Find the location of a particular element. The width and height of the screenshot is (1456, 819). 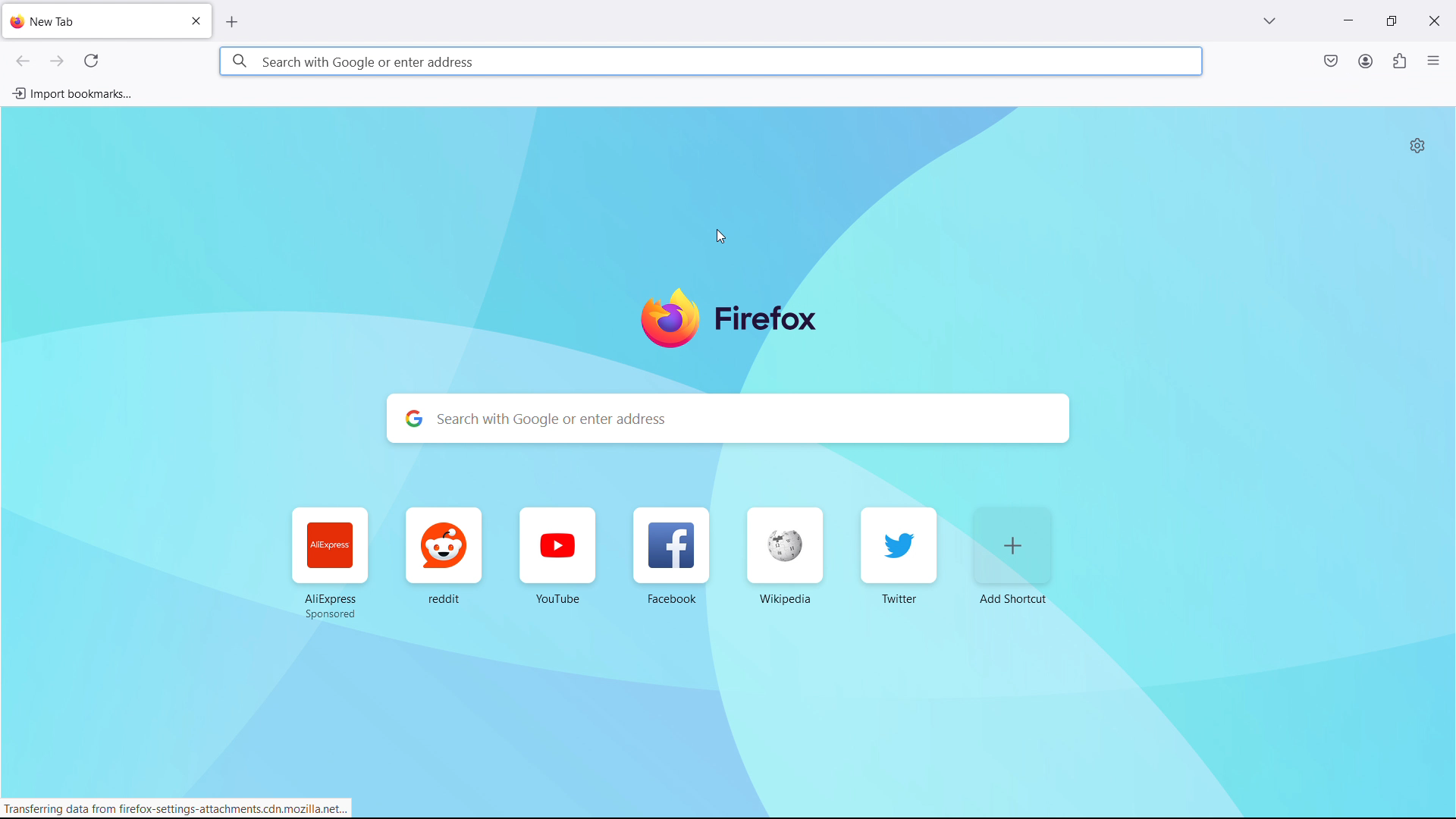

reload current page is located at coordinates (91, 64).